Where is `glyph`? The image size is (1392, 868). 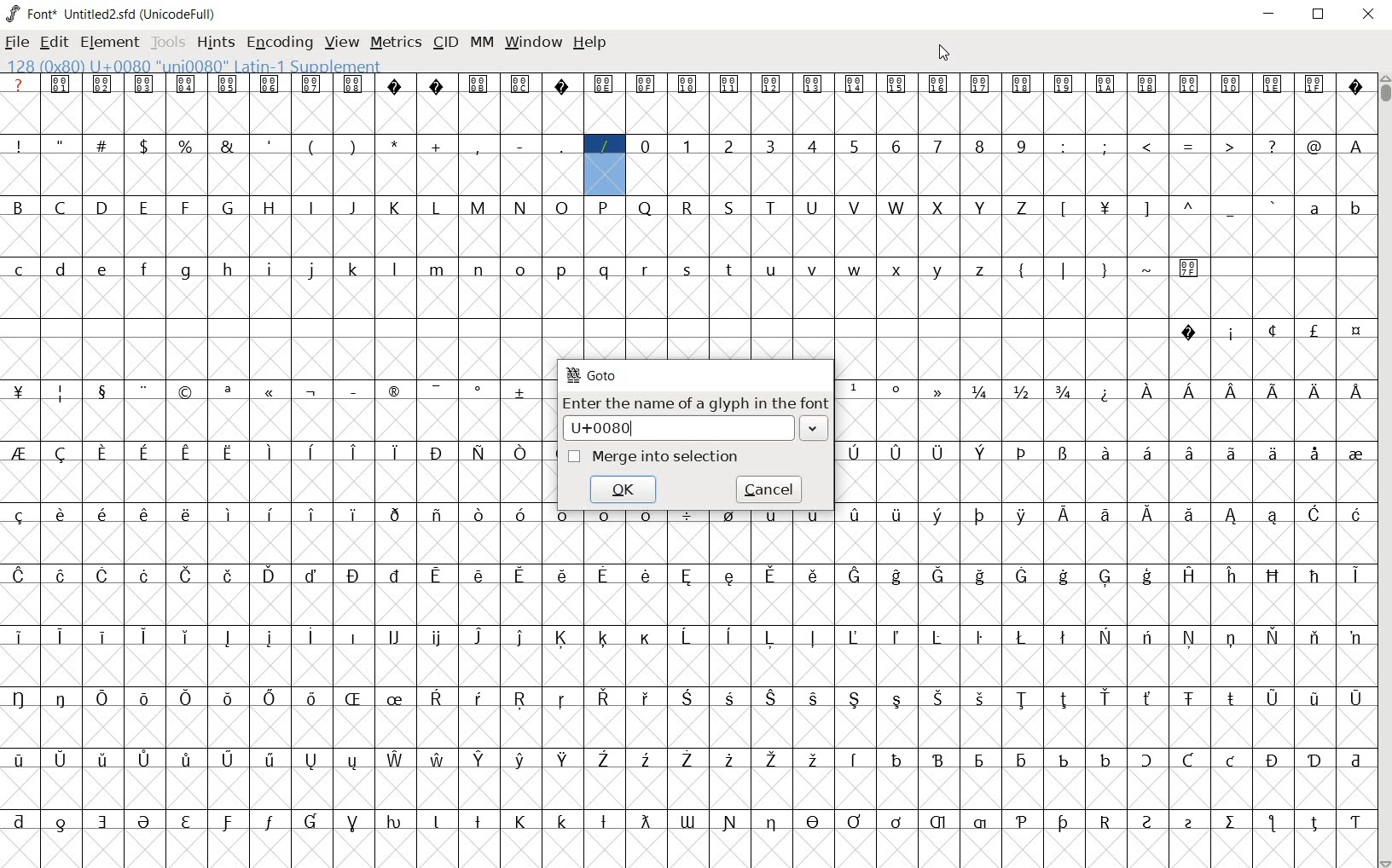 glyph is located at coordinates (563, 515).